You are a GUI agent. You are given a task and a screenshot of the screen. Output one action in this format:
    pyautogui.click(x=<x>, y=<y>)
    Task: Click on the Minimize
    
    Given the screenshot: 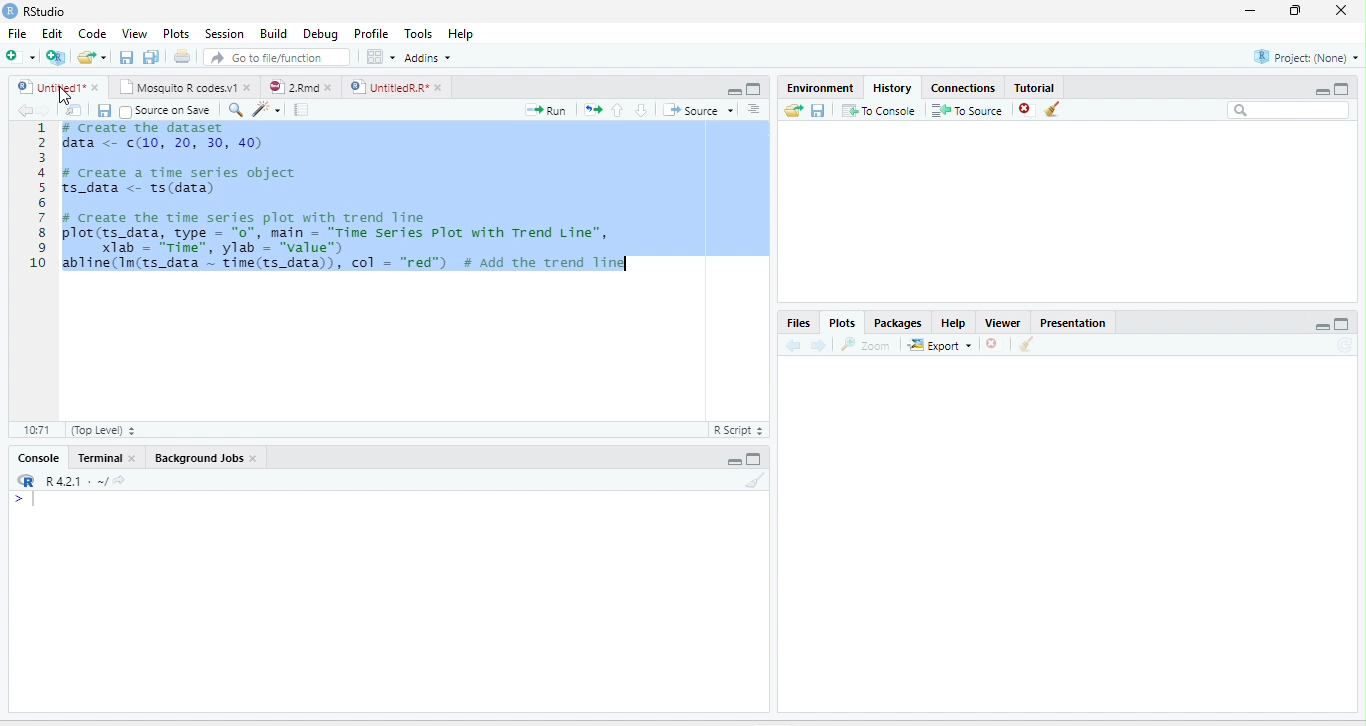 What is the action you would take?
    pyautogui.click(x=1321, y=326)
    